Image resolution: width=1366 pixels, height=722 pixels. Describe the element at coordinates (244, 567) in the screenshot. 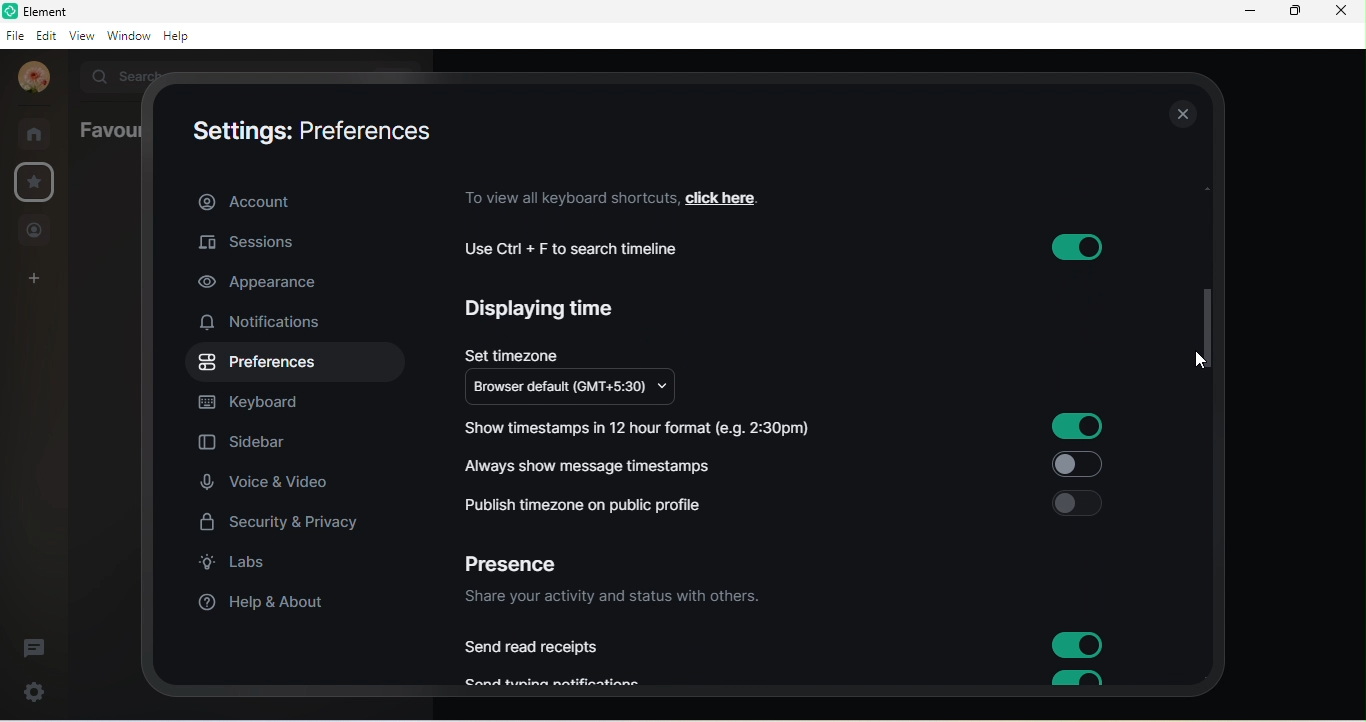

I see `labs` at that location.